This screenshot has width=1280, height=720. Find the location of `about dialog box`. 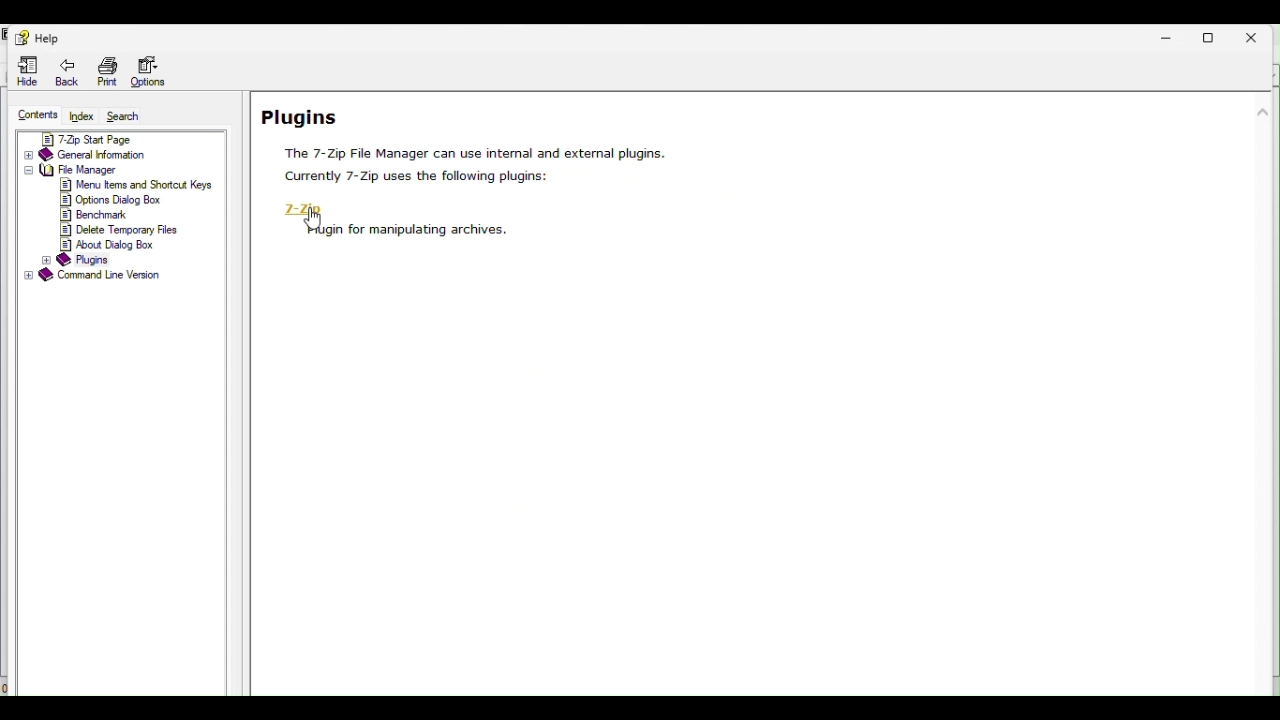

about dialog box is located at coordinates (113, 246).